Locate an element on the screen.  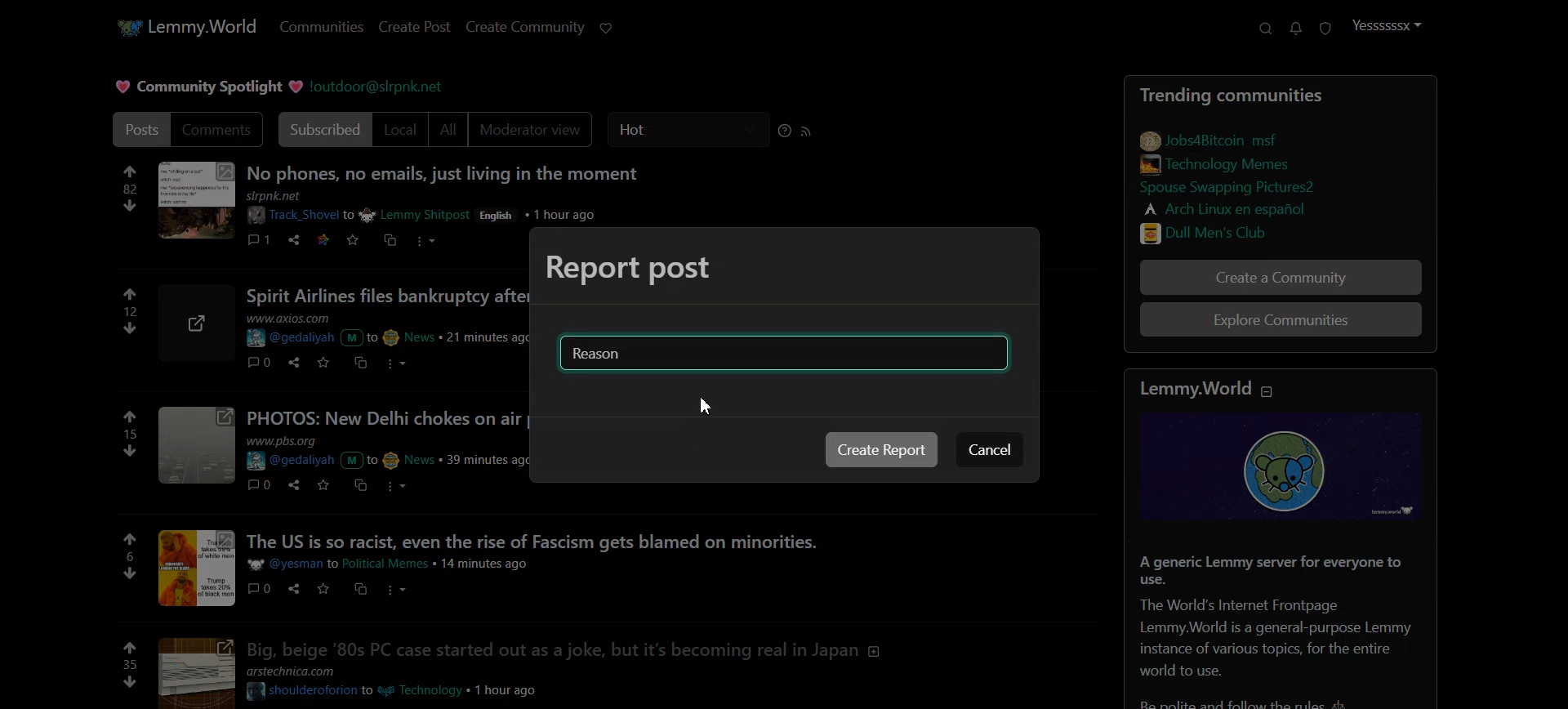
share is located at coordinates (294, 240).